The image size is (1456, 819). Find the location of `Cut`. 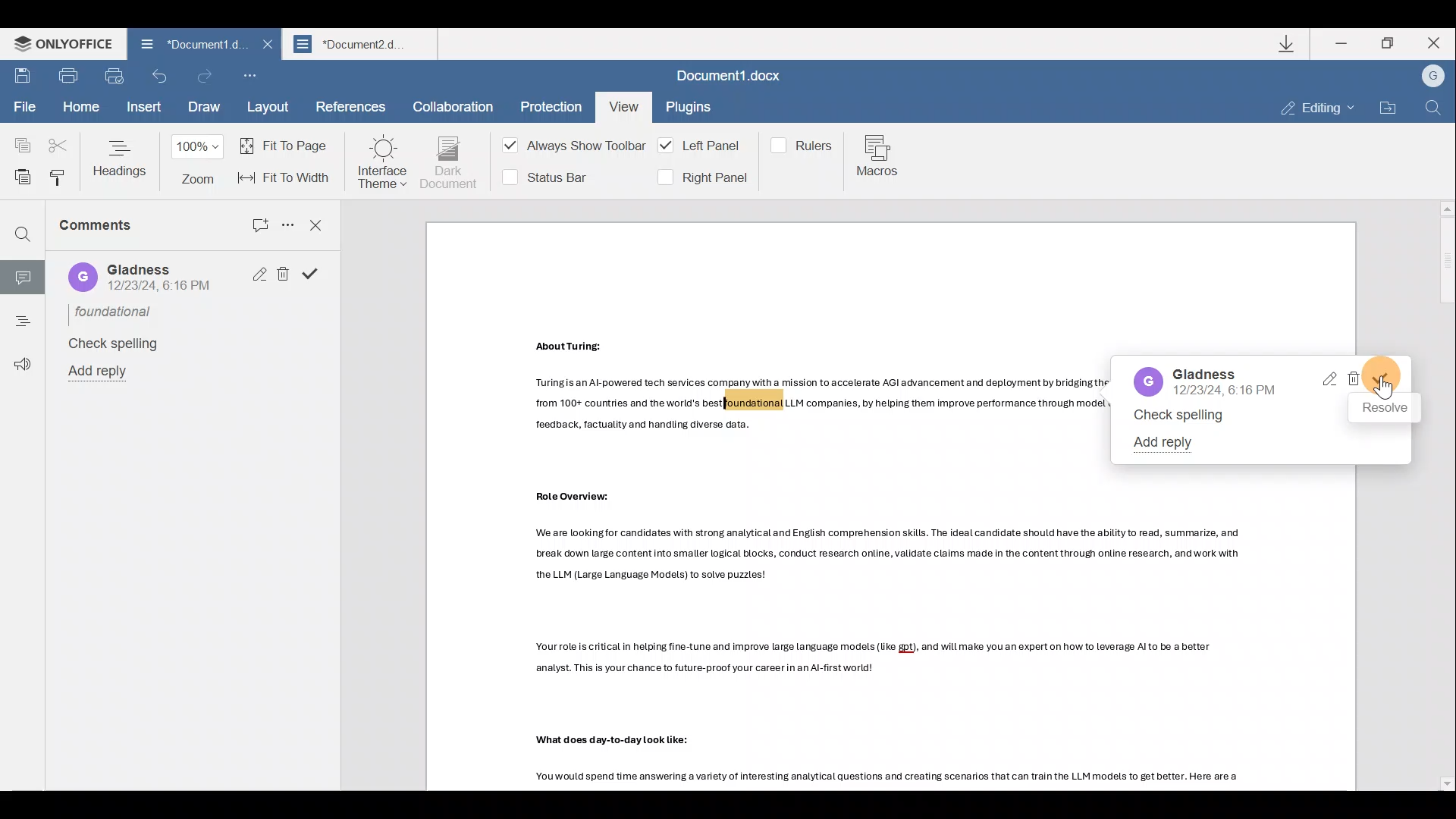

Cut is located at coordinates (59, 140).